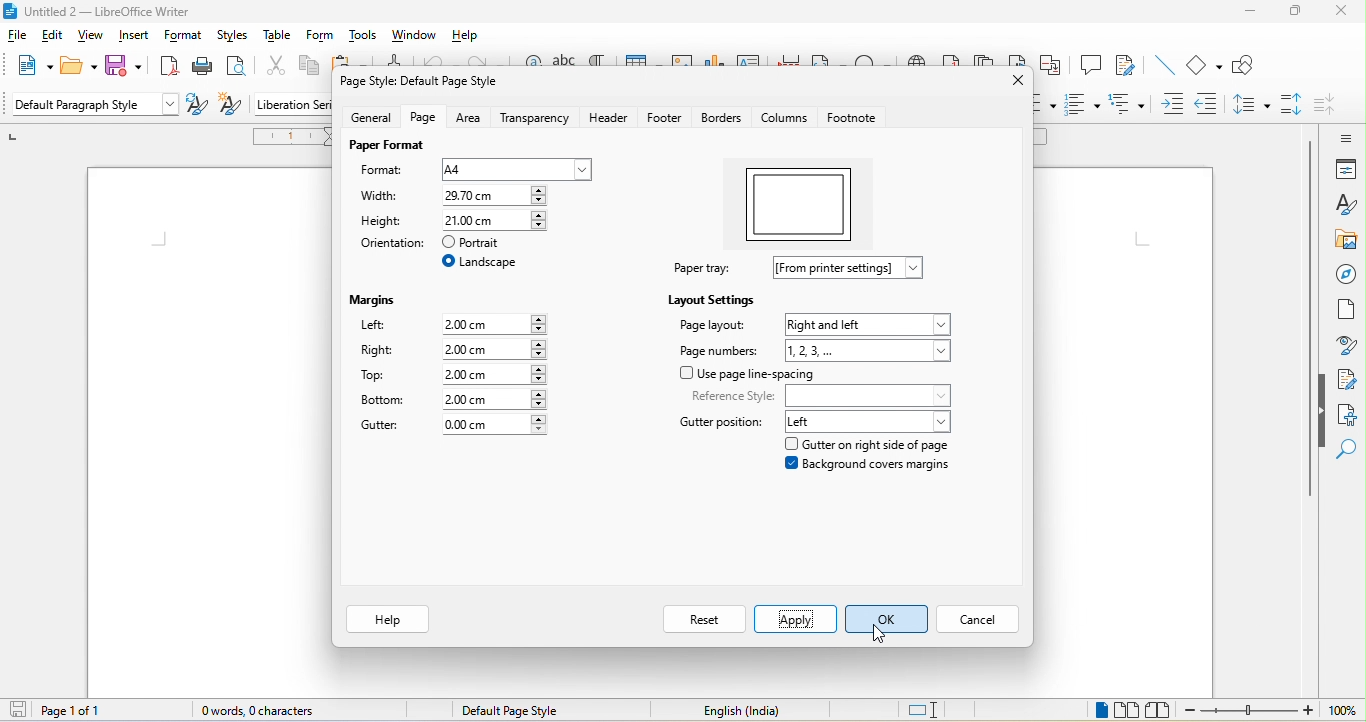  What do you see at coordinates (373, 376) in the screenshot?
I see `top` at bounding box center [373, 376].